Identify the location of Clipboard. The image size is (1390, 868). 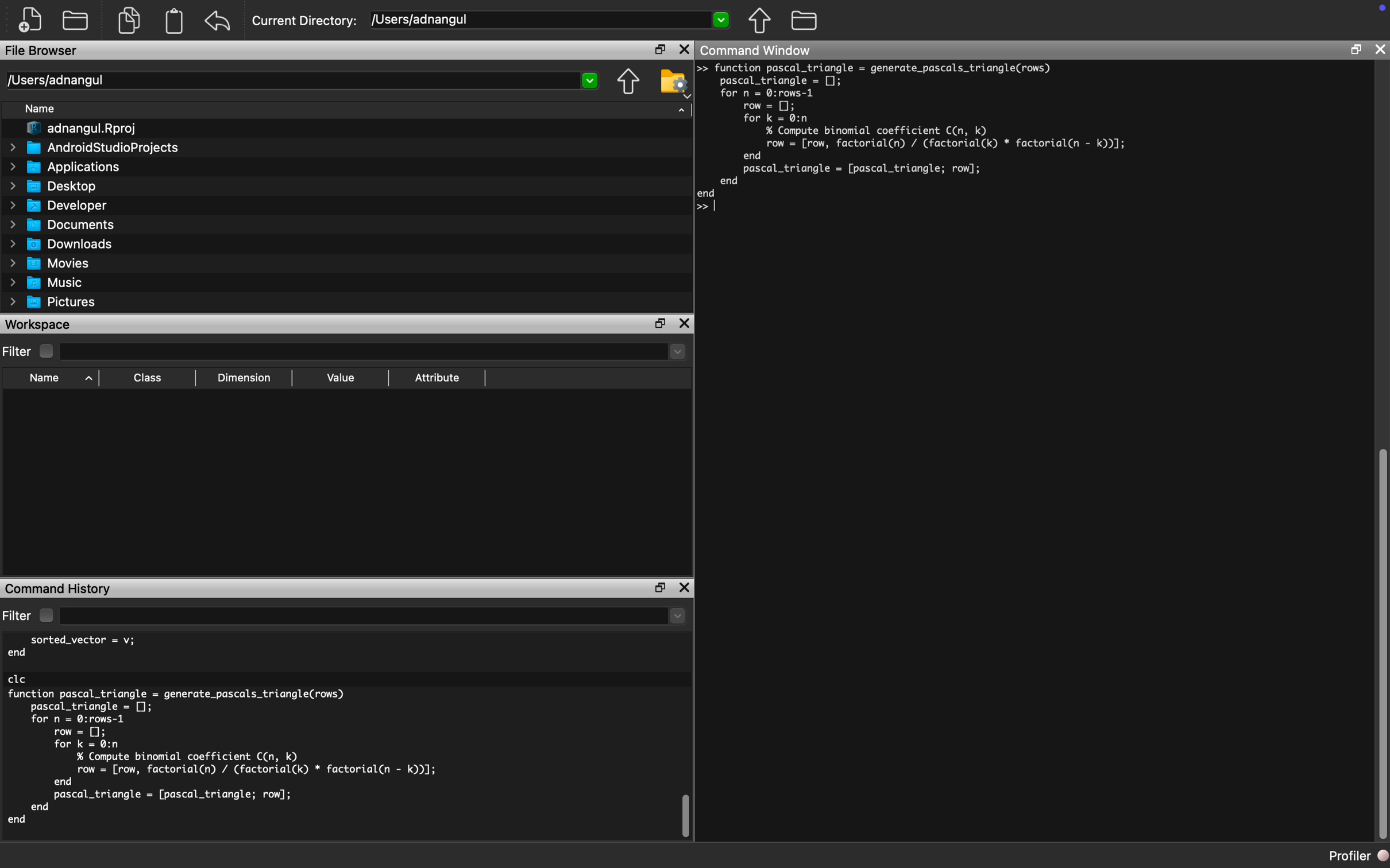
(173, 21).